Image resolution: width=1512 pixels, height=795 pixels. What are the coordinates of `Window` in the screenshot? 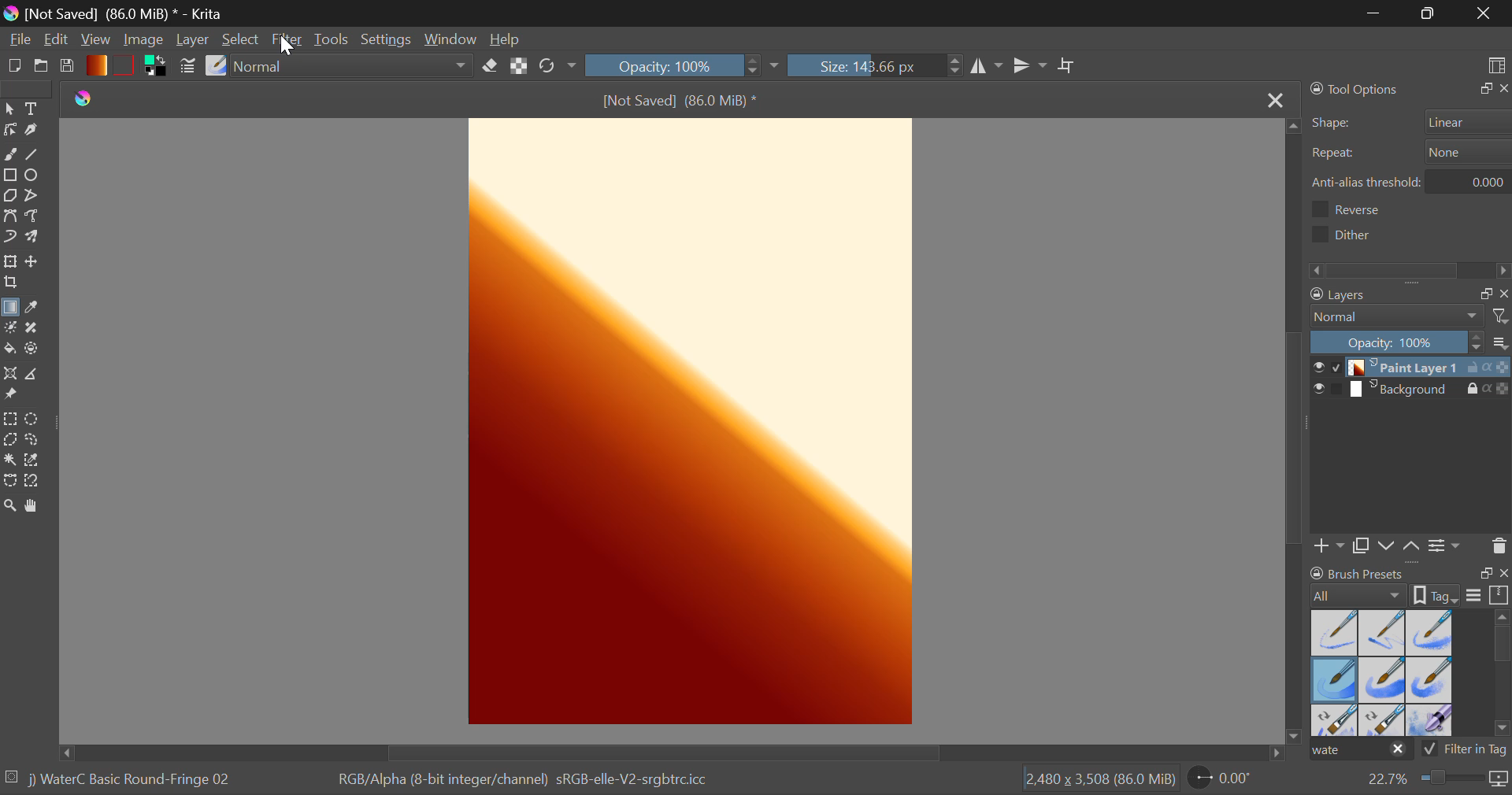 It's located at (449, 35).